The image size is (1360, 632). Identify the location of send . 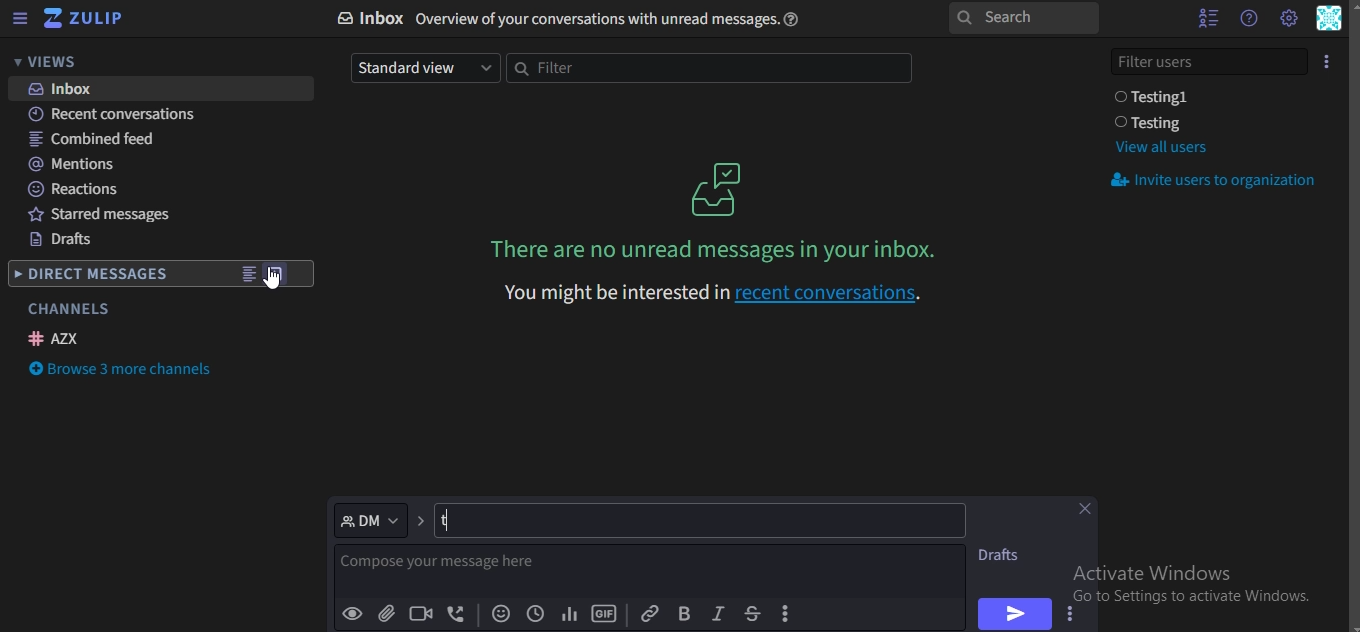
(1012, 613).